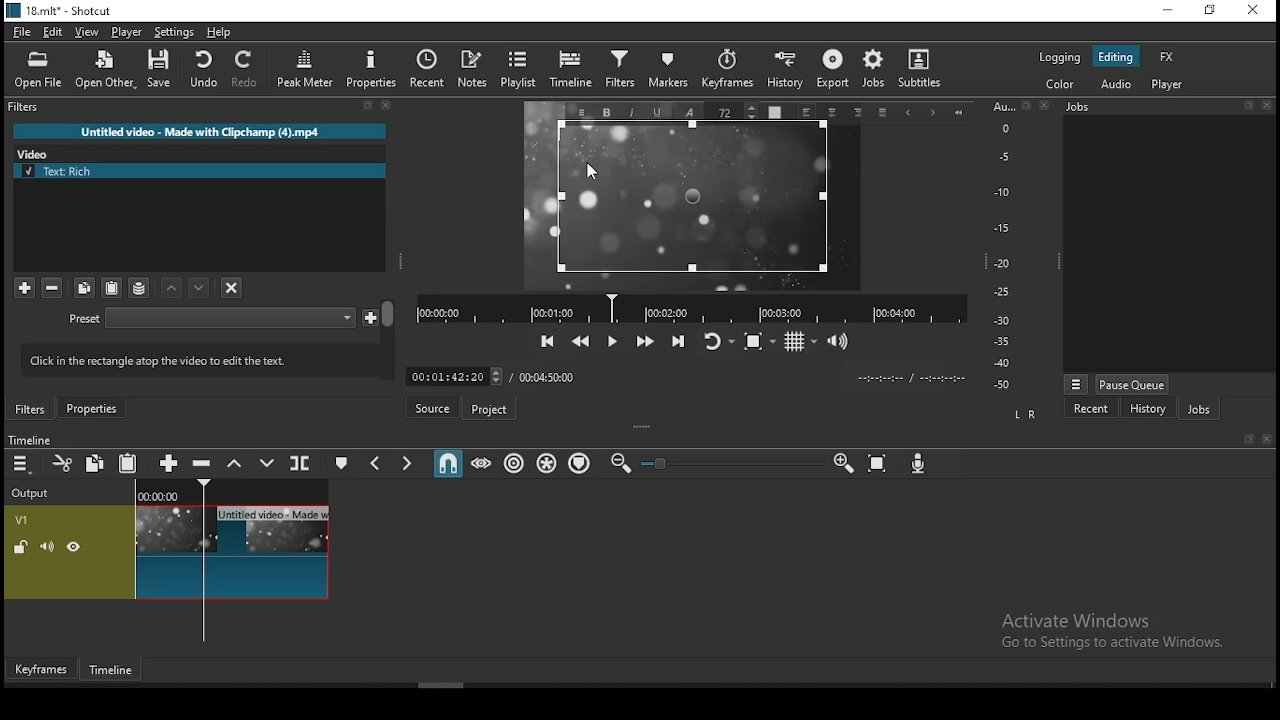  What do you see at coordinates (454, 375) in the screenshot?
I see `Frame Time` at bounding box center [454, 375].